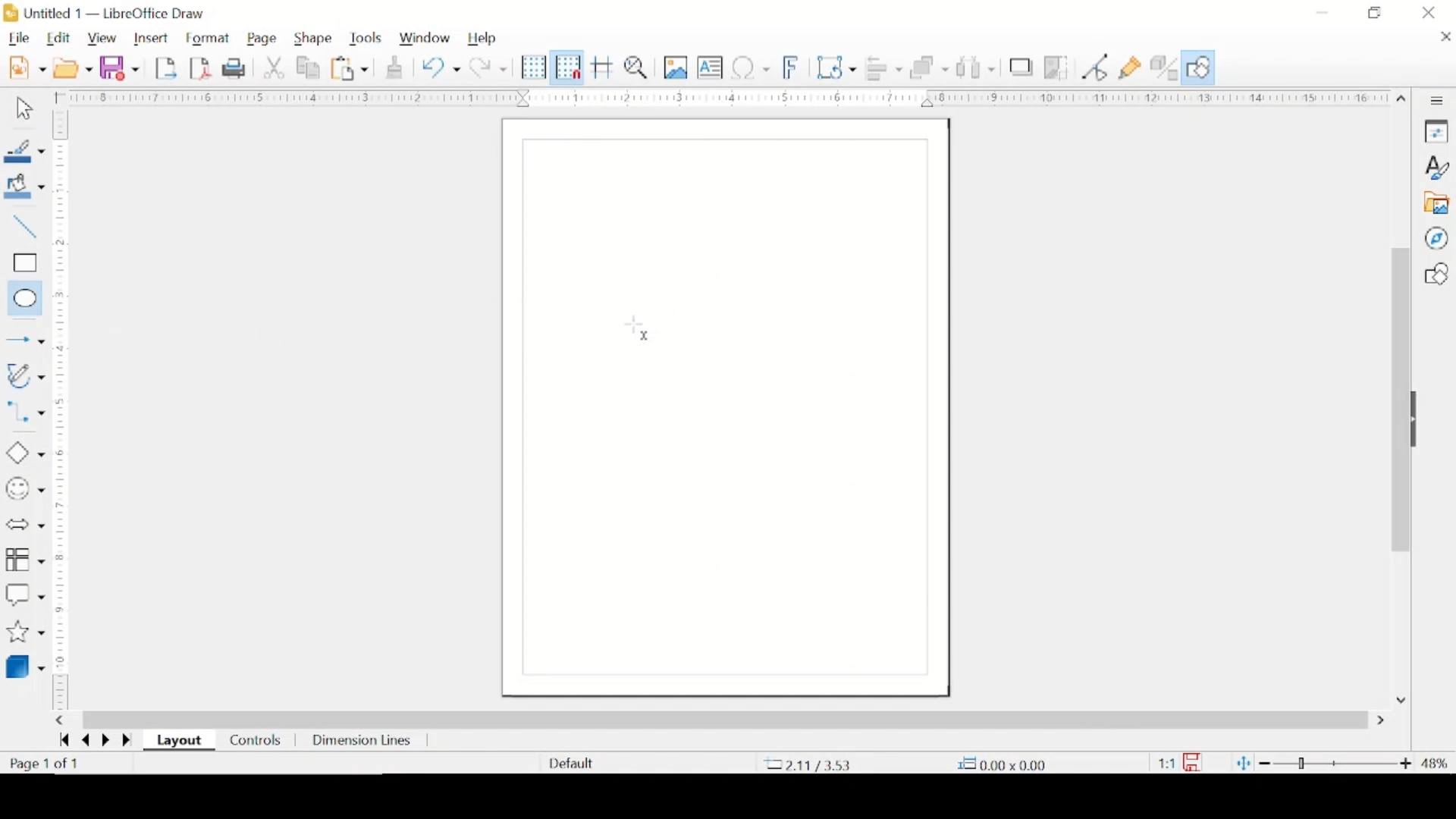 The image size is (1456, 819). What do you see at coordinates (24, 560) in the screenshot?
I see `flowchart` at bounding box center [24, 560].